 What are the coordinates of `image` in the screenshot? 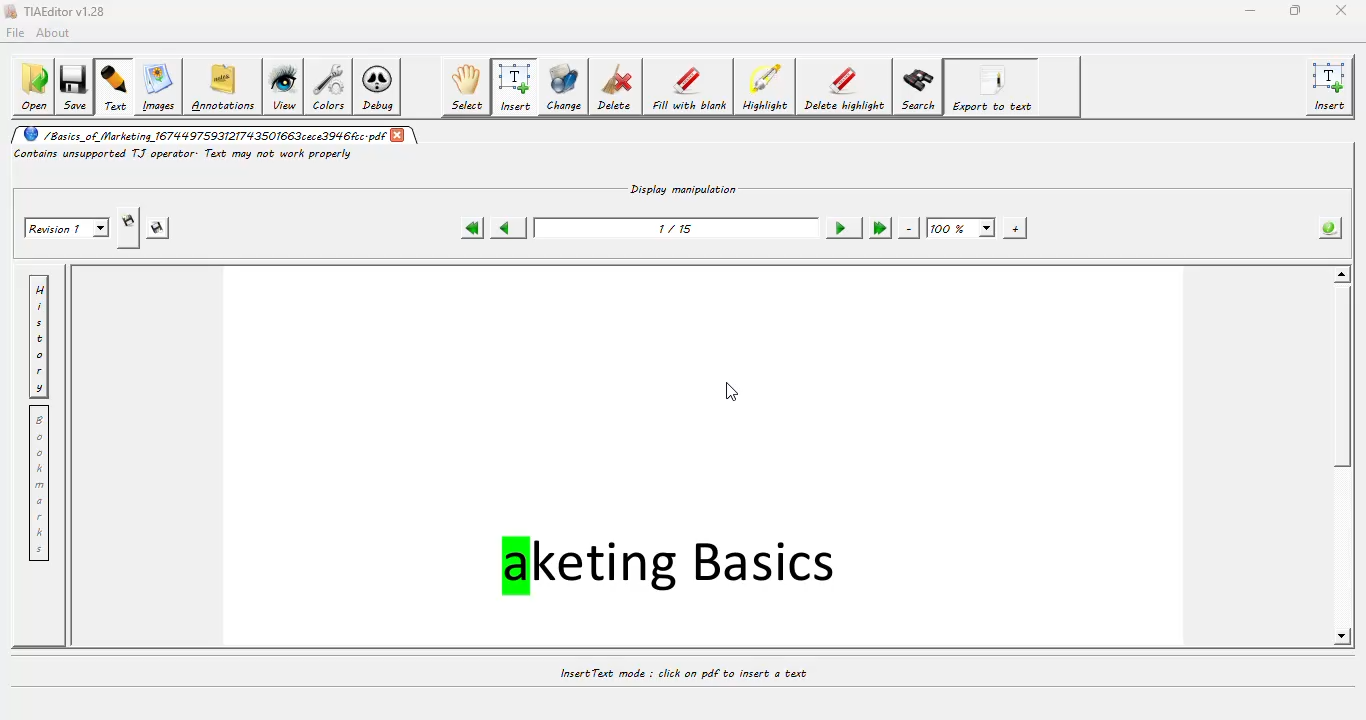 It's located at (159, 86).